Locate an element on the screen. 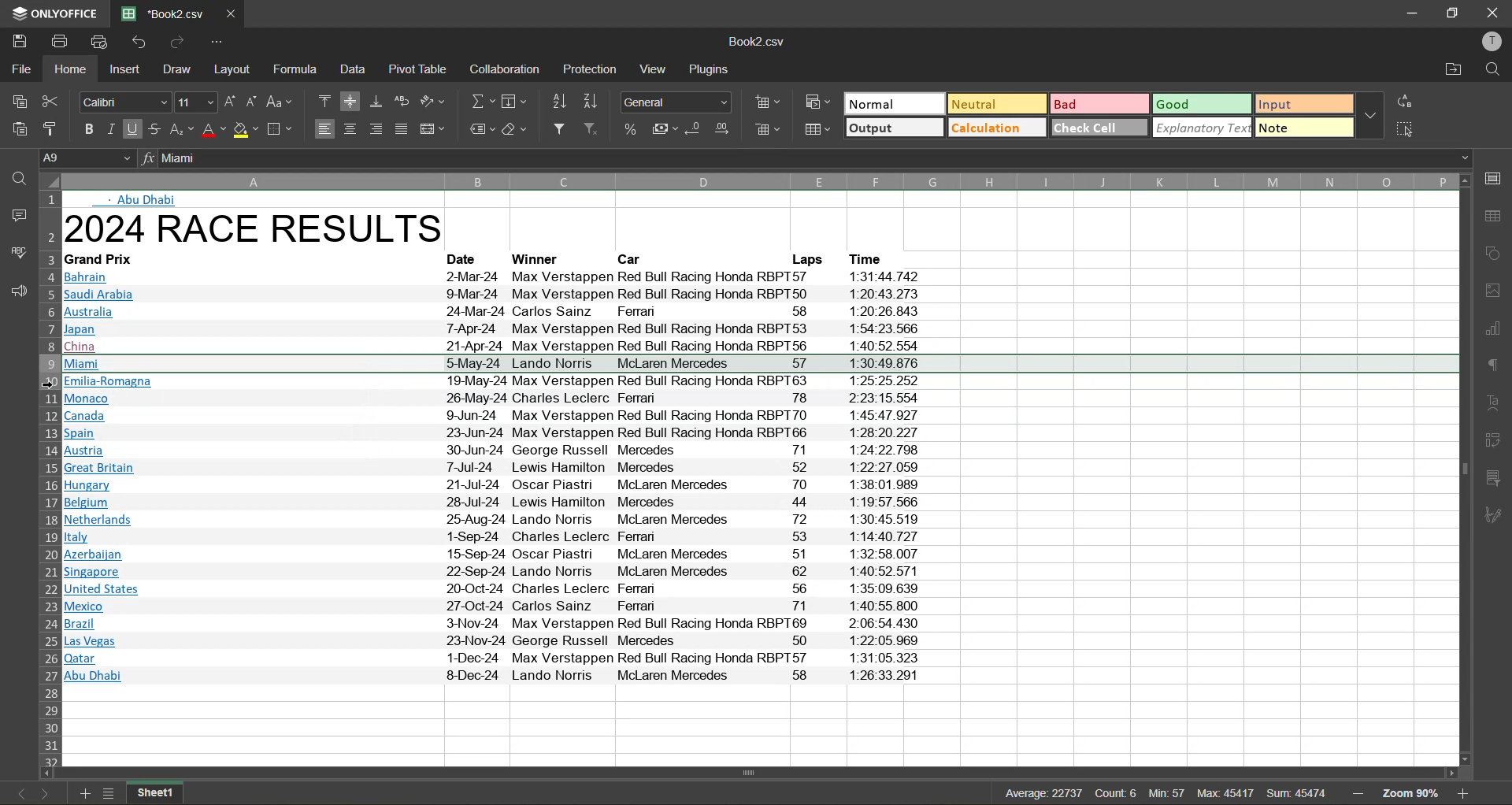 This screenshot has height=805, width=1512. italic is located at coordinates (110, 129).